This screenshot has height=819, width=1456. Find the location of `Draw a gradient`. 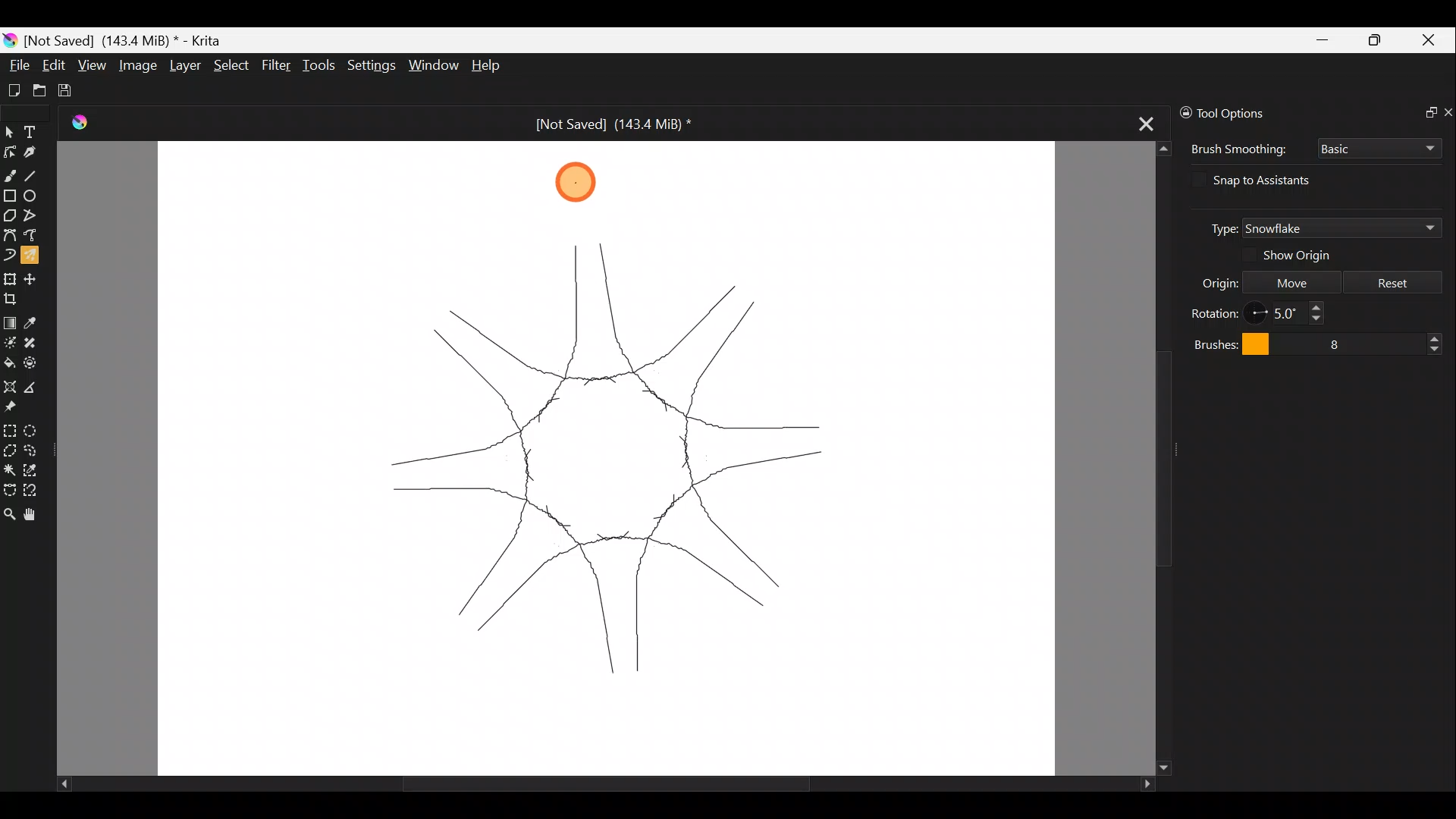

Draw a gradient is located at coordinates (10, 318).